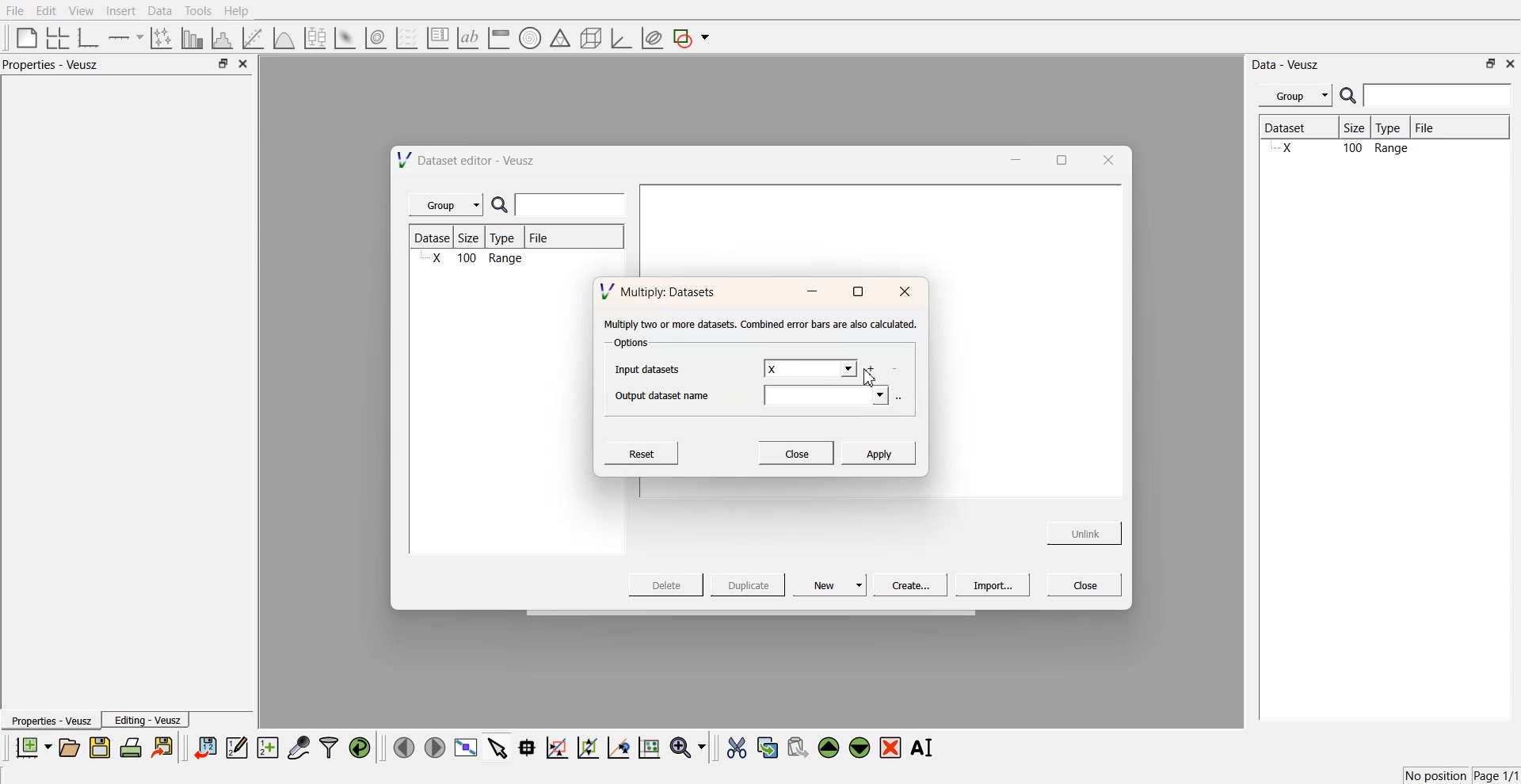 The width and height of the screenshot is (1521, 784). What do you see at coordinates (894, 370) in the screenshot?
I see `delete datasets` at bounding box center [894, 370].